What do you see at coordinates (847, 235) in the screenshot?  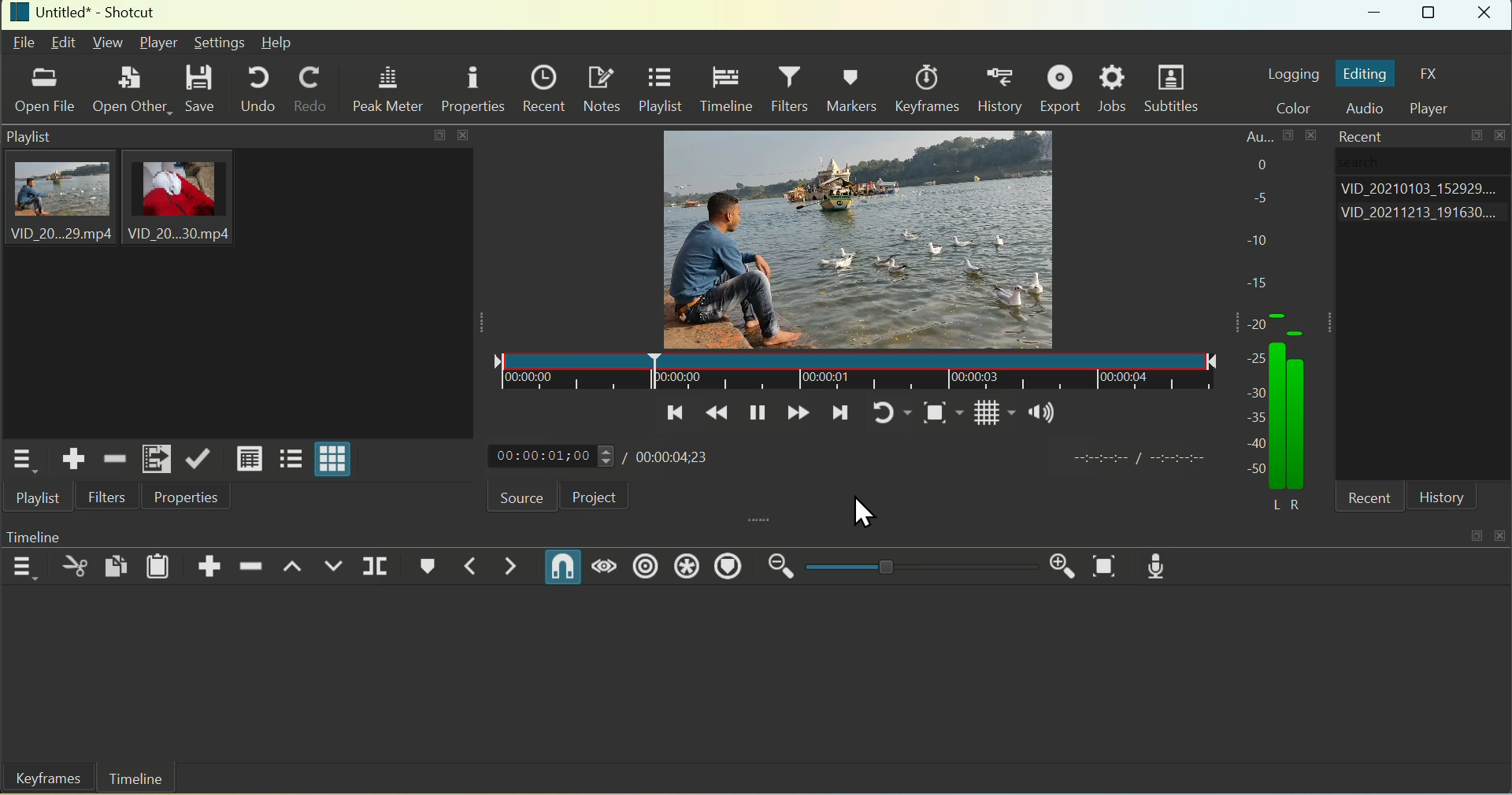 I see `Video Playlist` at bounding box center [847, 235].